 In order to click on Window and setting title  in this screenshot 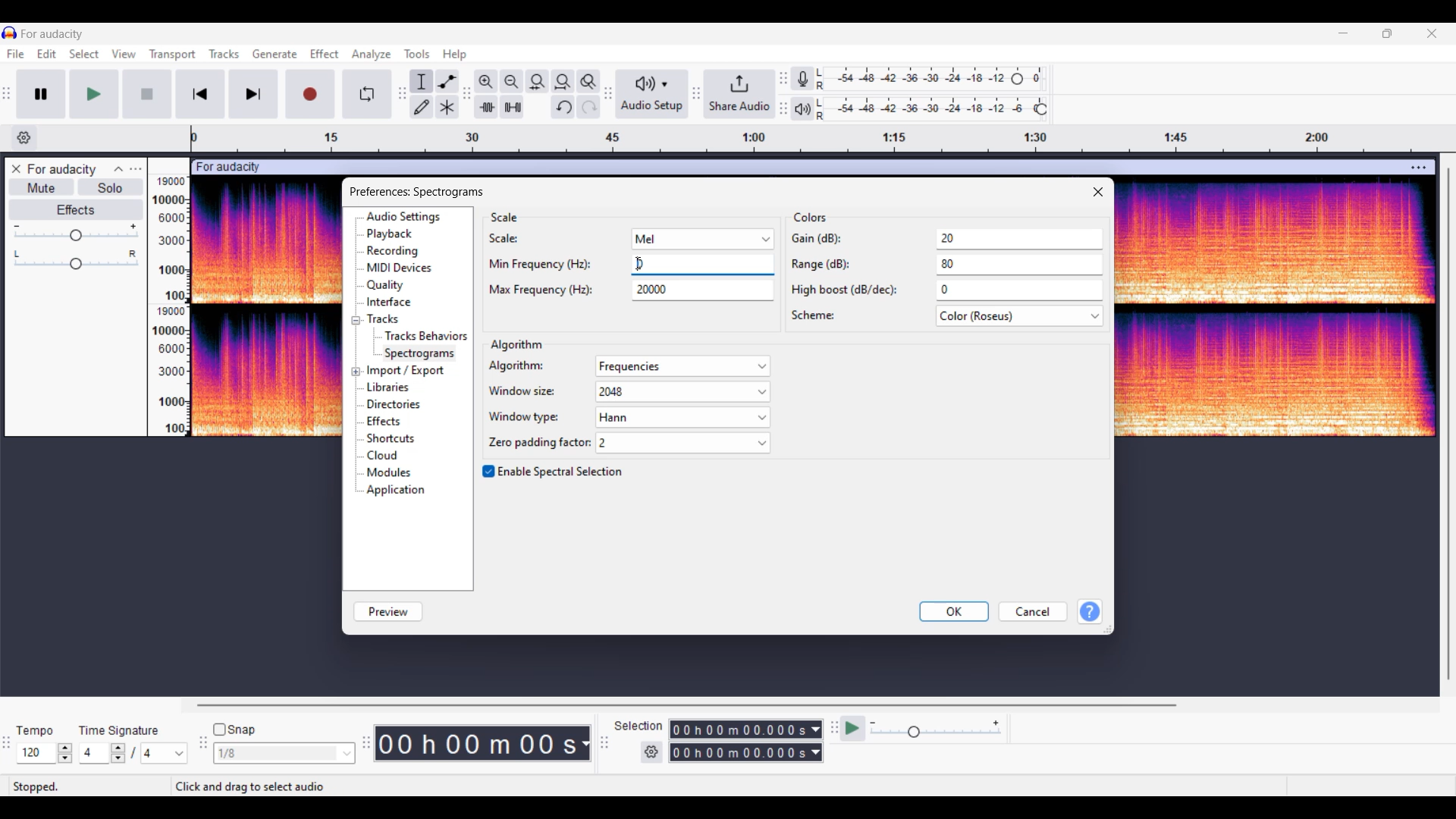, I will do `click(416, 190)`.